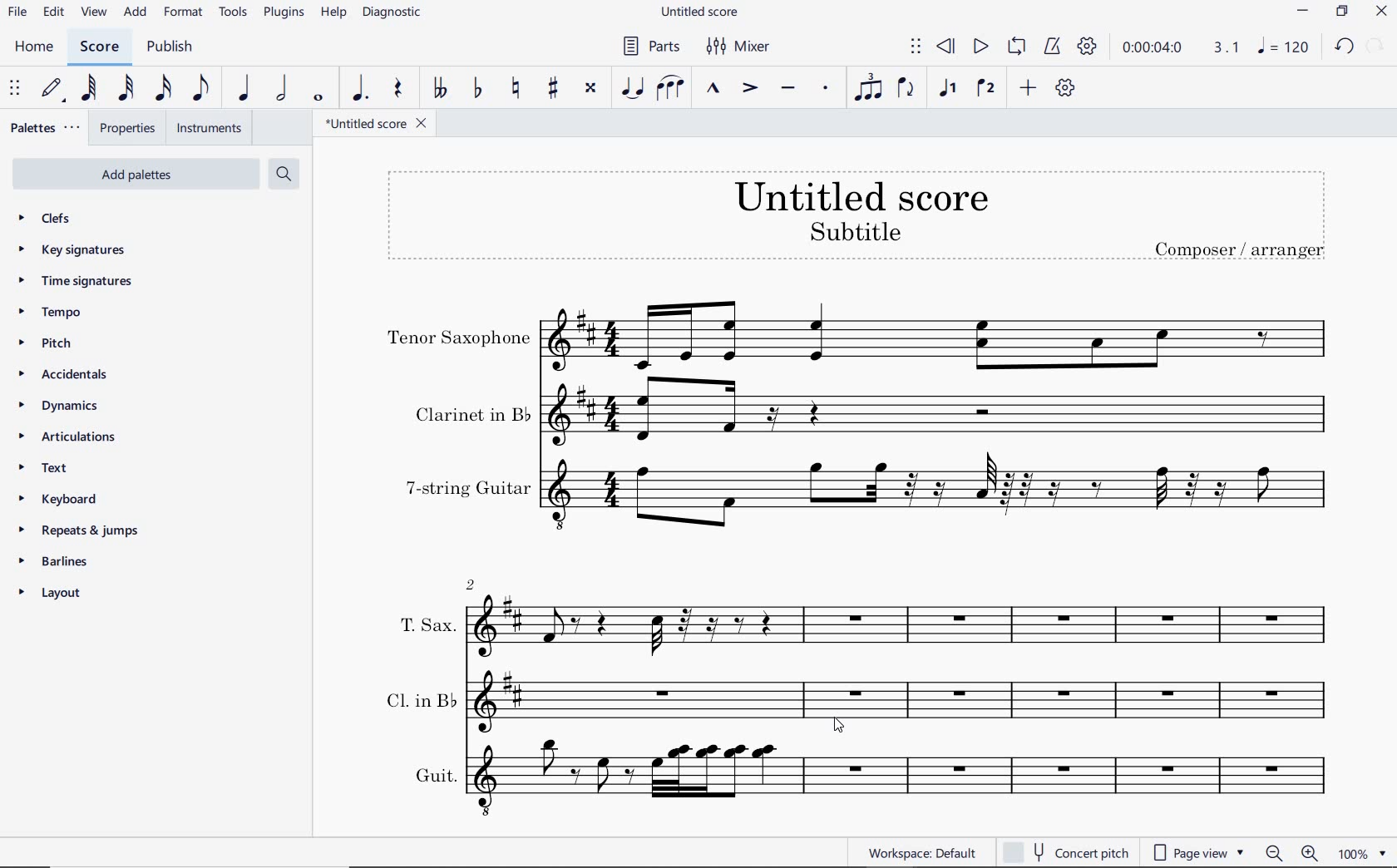 This screenshot has width=1397, height=868. What do you see at coordinates (360, 91) in the screenshot?
I see `AUGMENTATION DOT` at bounding box center [360, 91].